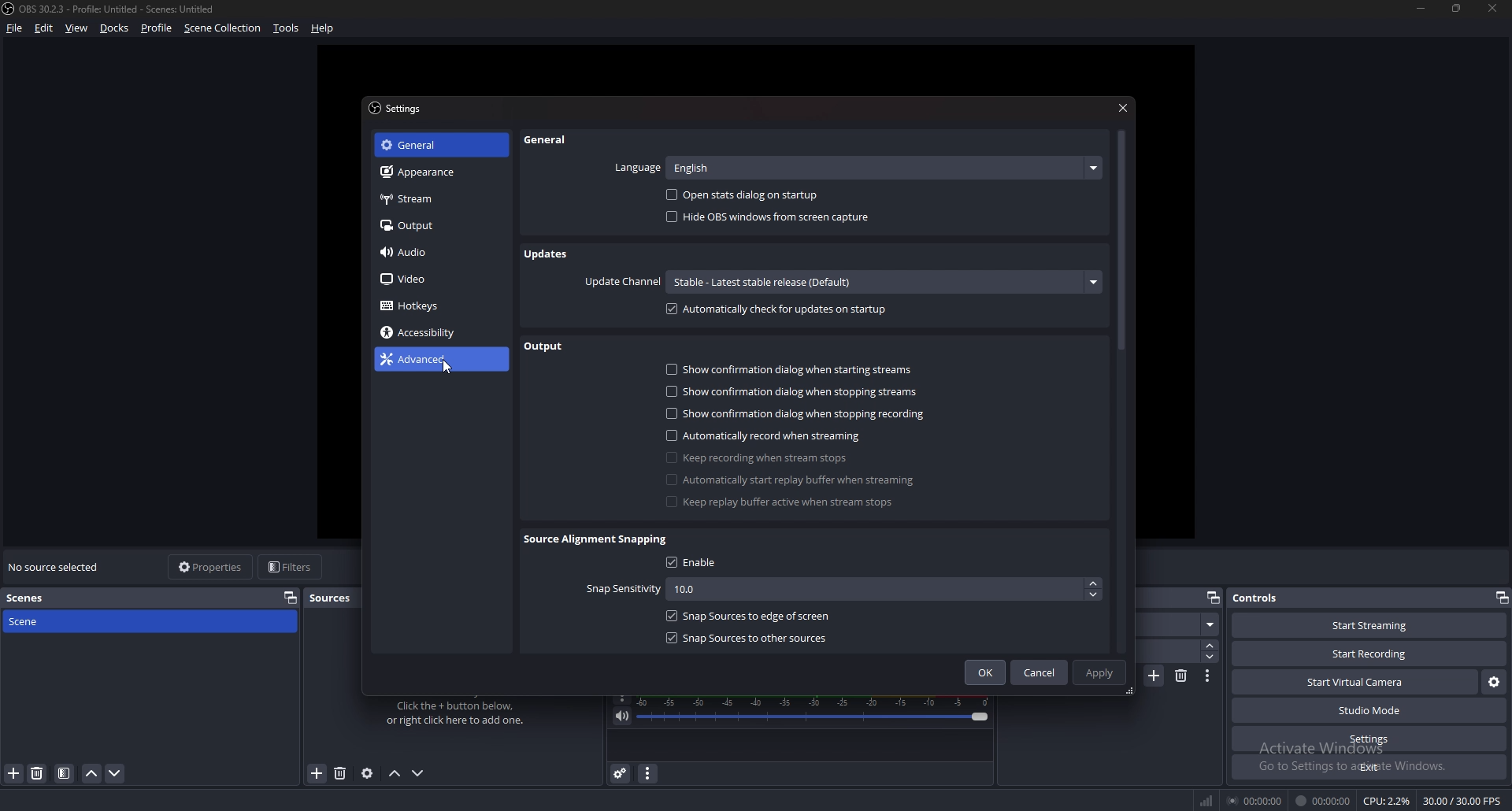  I want to click on add scene, so click(1155, 675).